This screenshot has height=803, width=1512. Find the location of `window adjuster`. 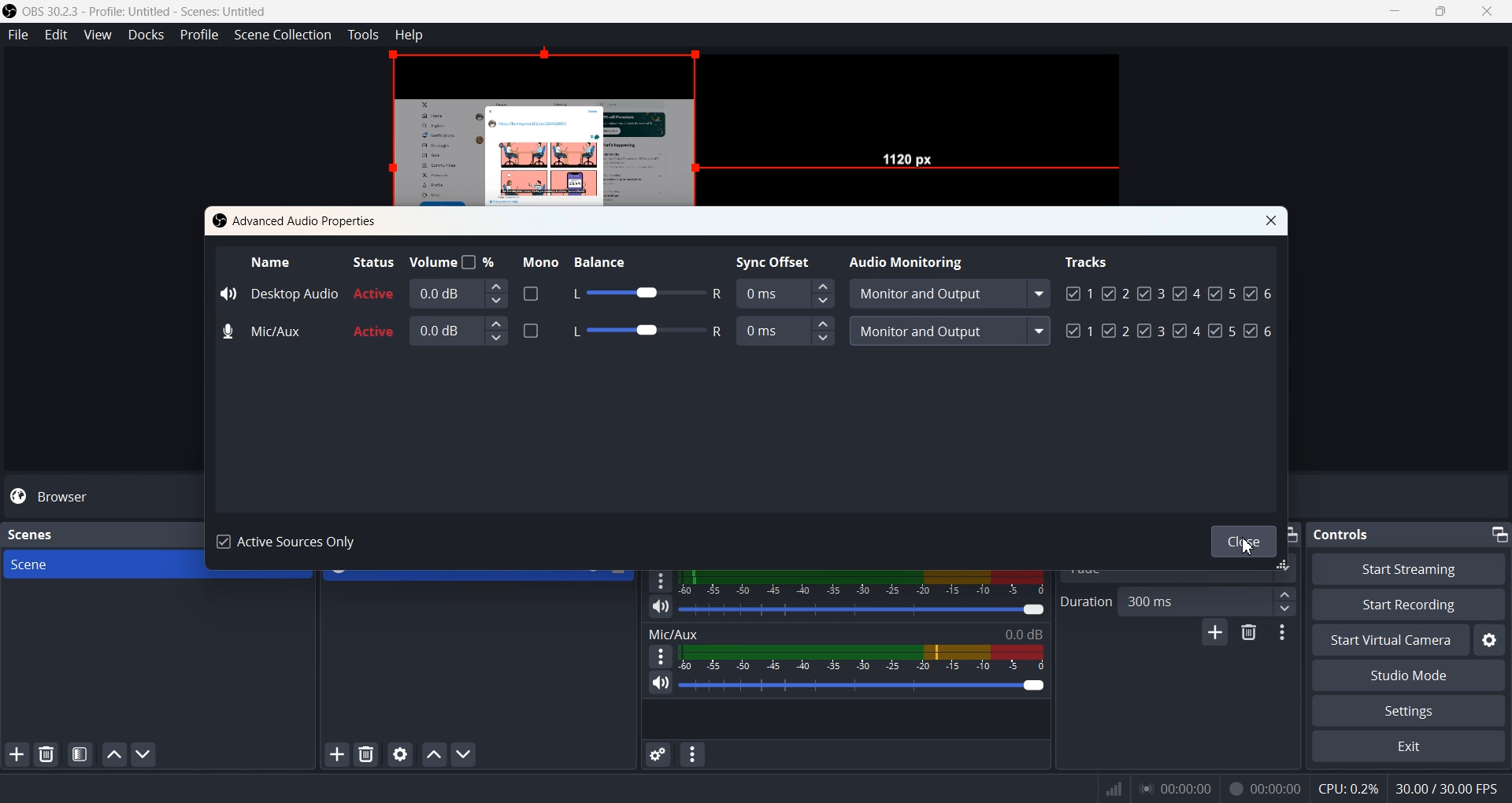

window adjuster is located at coordinates (1285, 567).